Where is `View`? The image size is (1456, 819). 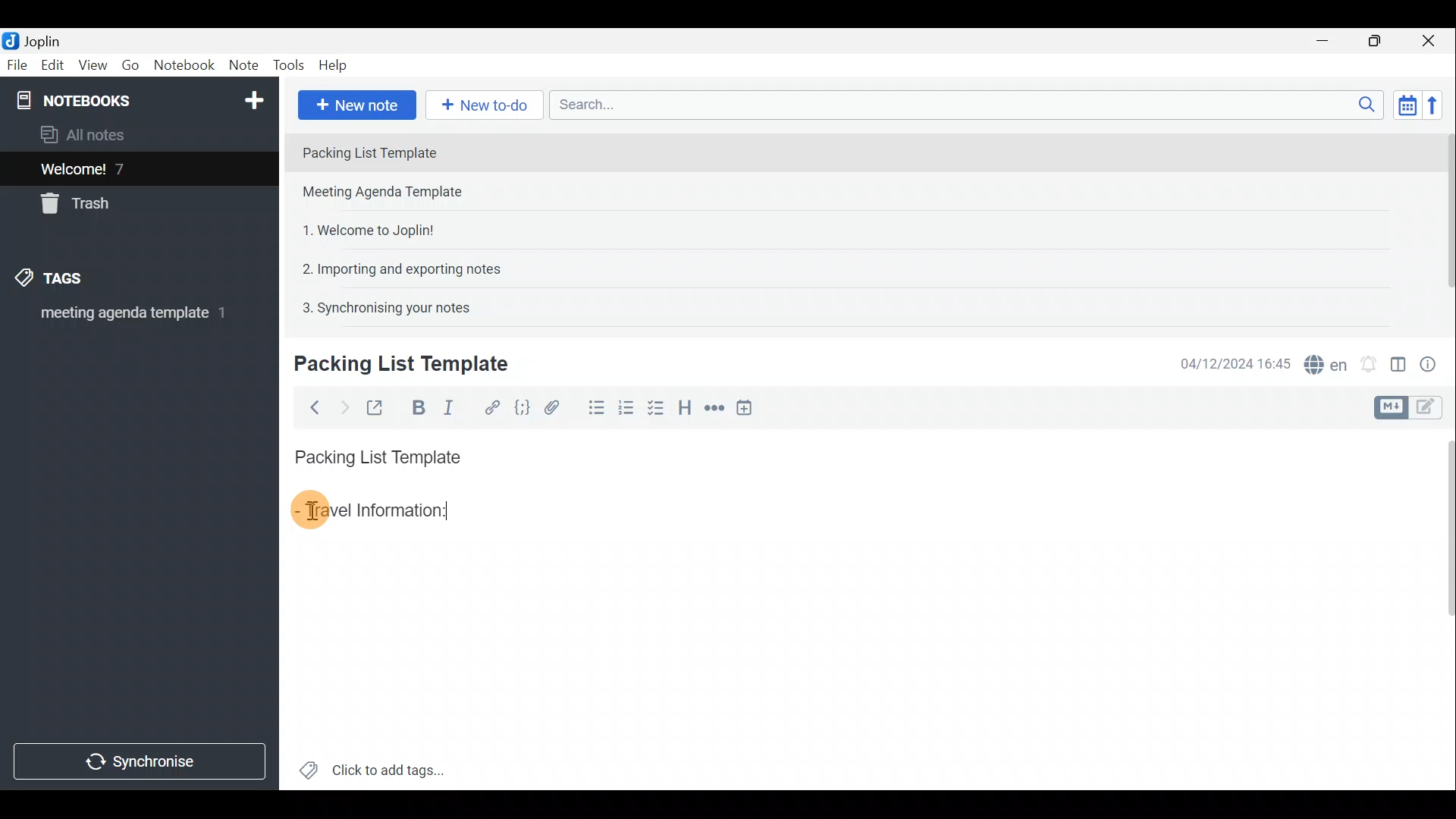
View is located at coordinates (94, 65).